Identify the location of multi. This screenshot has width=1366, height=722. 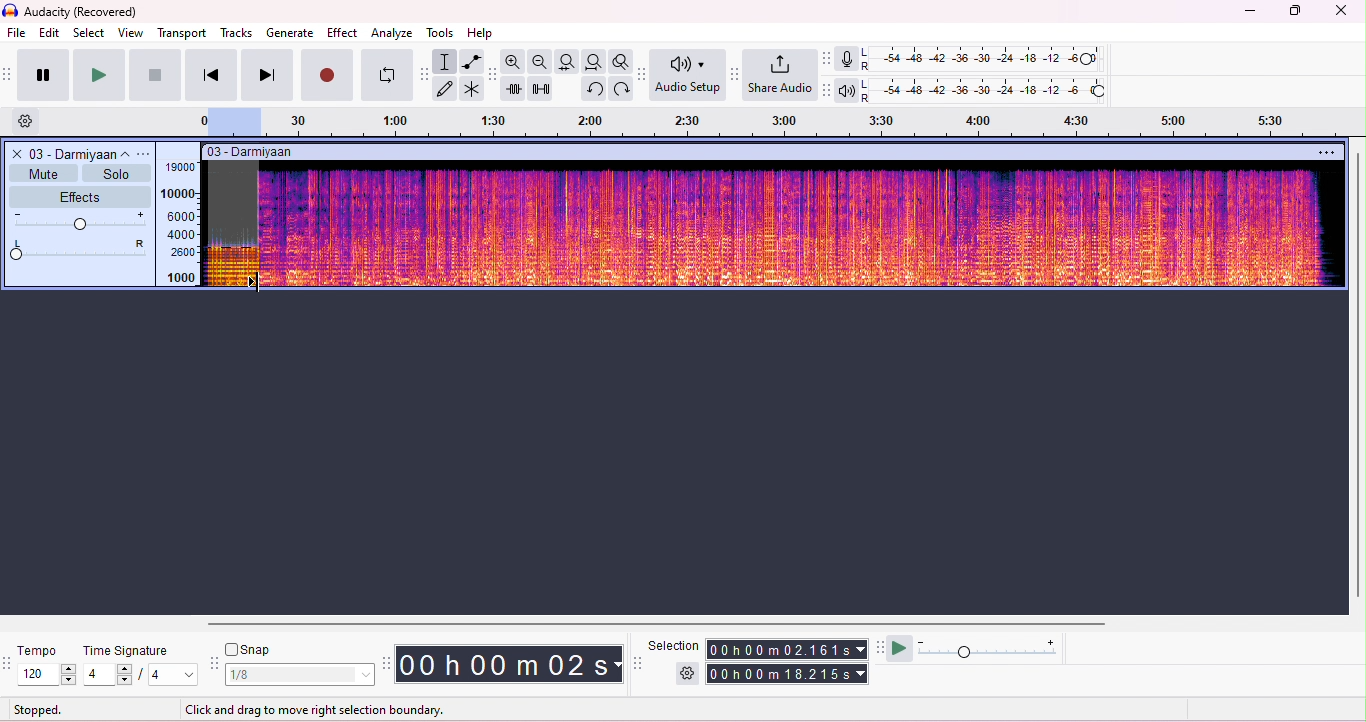
(473, 89).